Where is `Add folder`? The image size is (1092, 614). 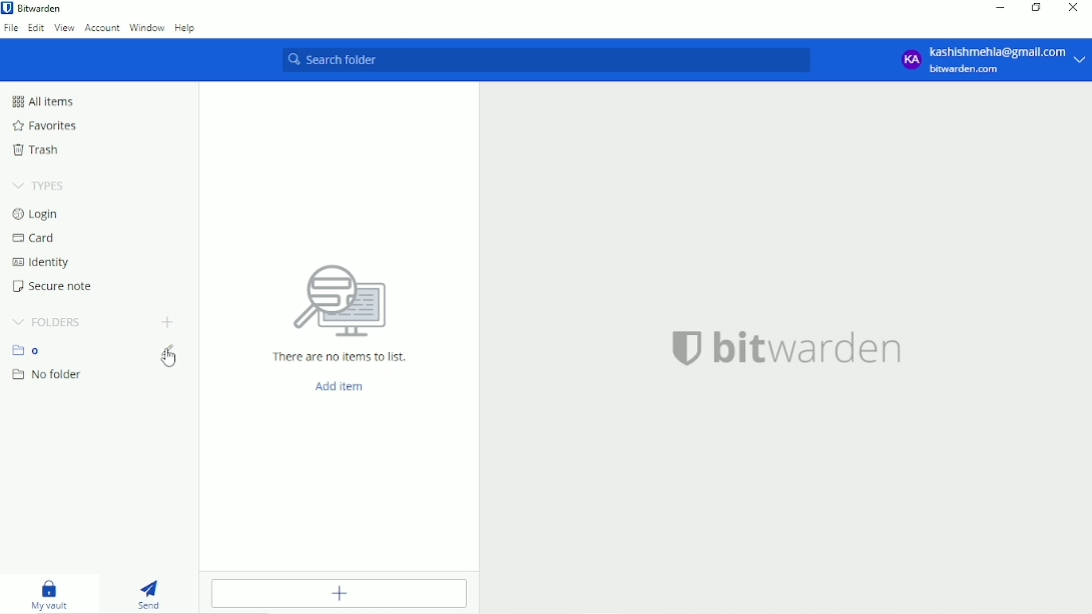
Add folder is located at coordinates (166, 323).